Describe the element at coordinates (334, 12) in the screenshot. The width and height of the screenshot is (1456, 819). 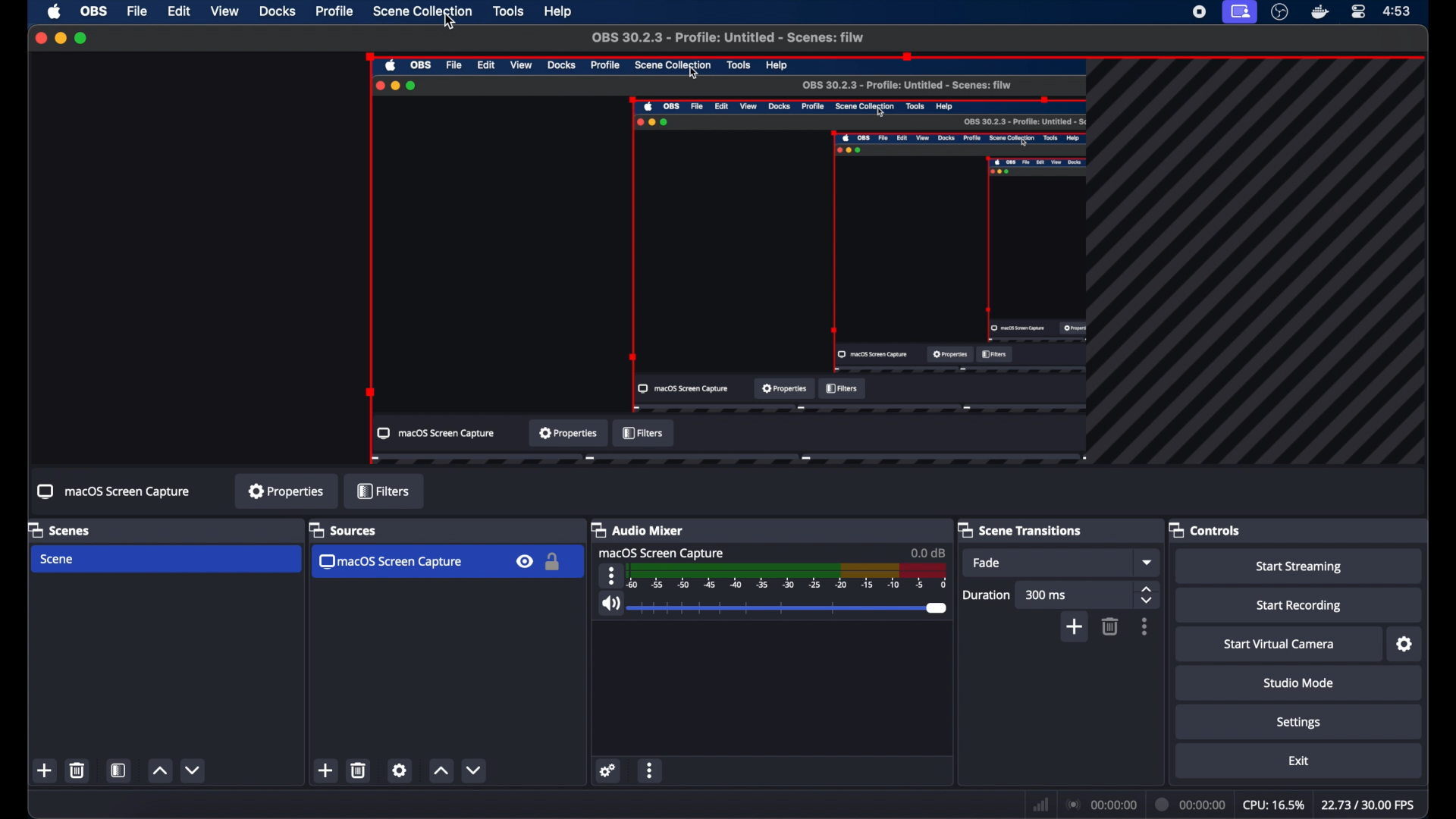
I see `profile` at that location.